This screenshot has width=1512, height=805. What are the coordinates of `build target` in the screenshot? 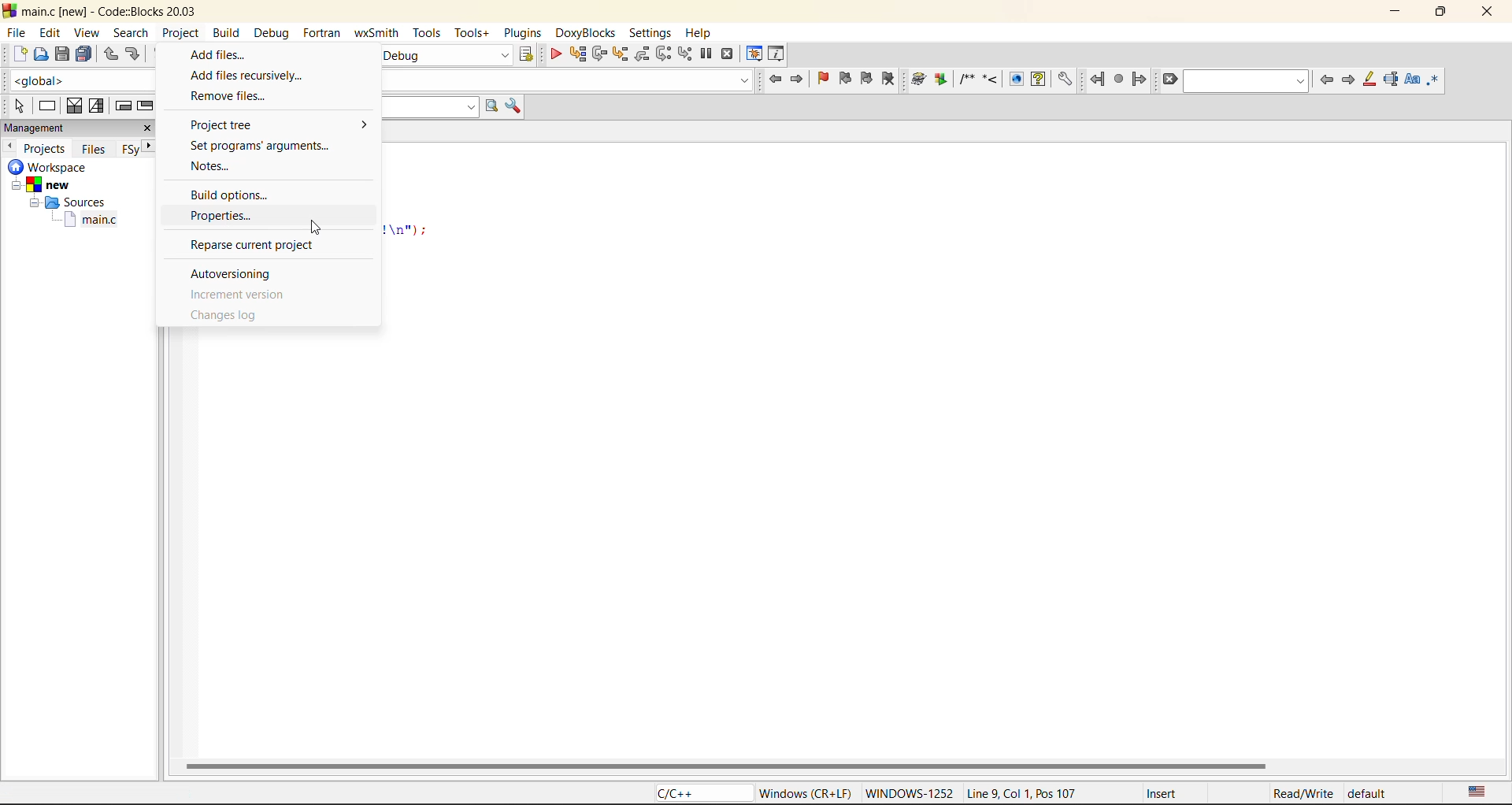 It's located at (447, 56).